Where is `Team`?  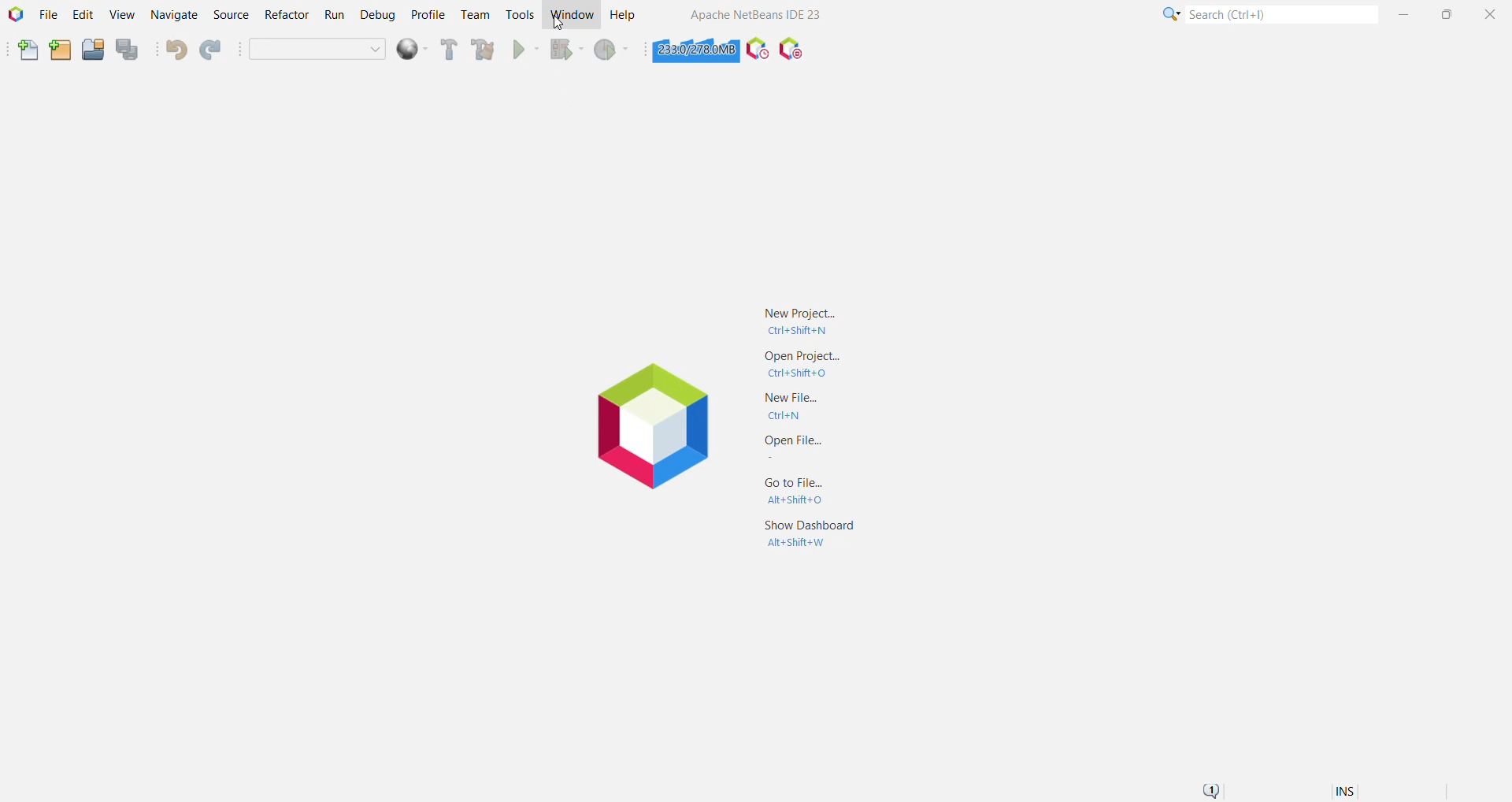 Team is located at coordinates (475, 16).